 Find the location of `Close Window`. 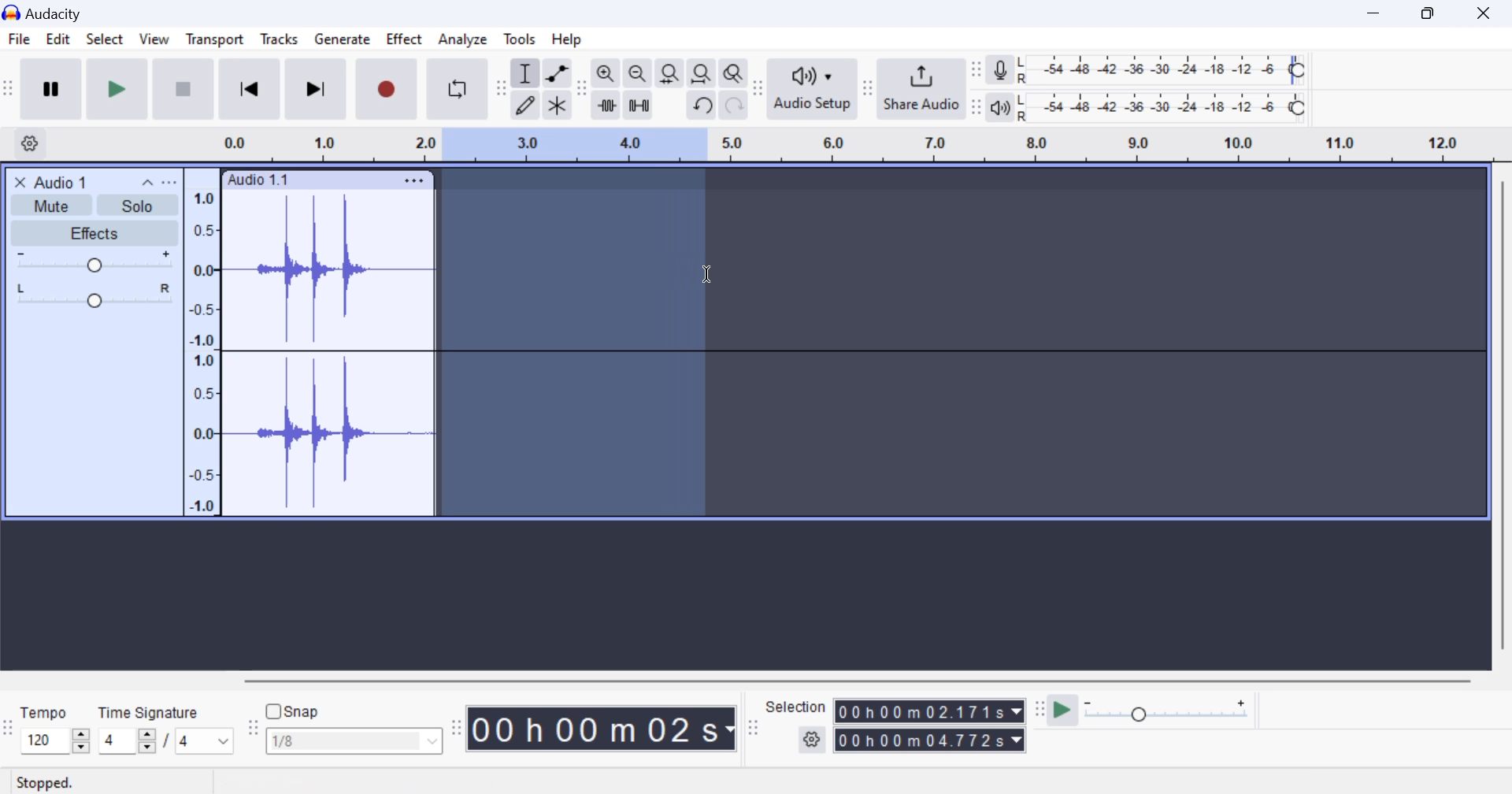

Close Window is located at coordinates (1488, 11).